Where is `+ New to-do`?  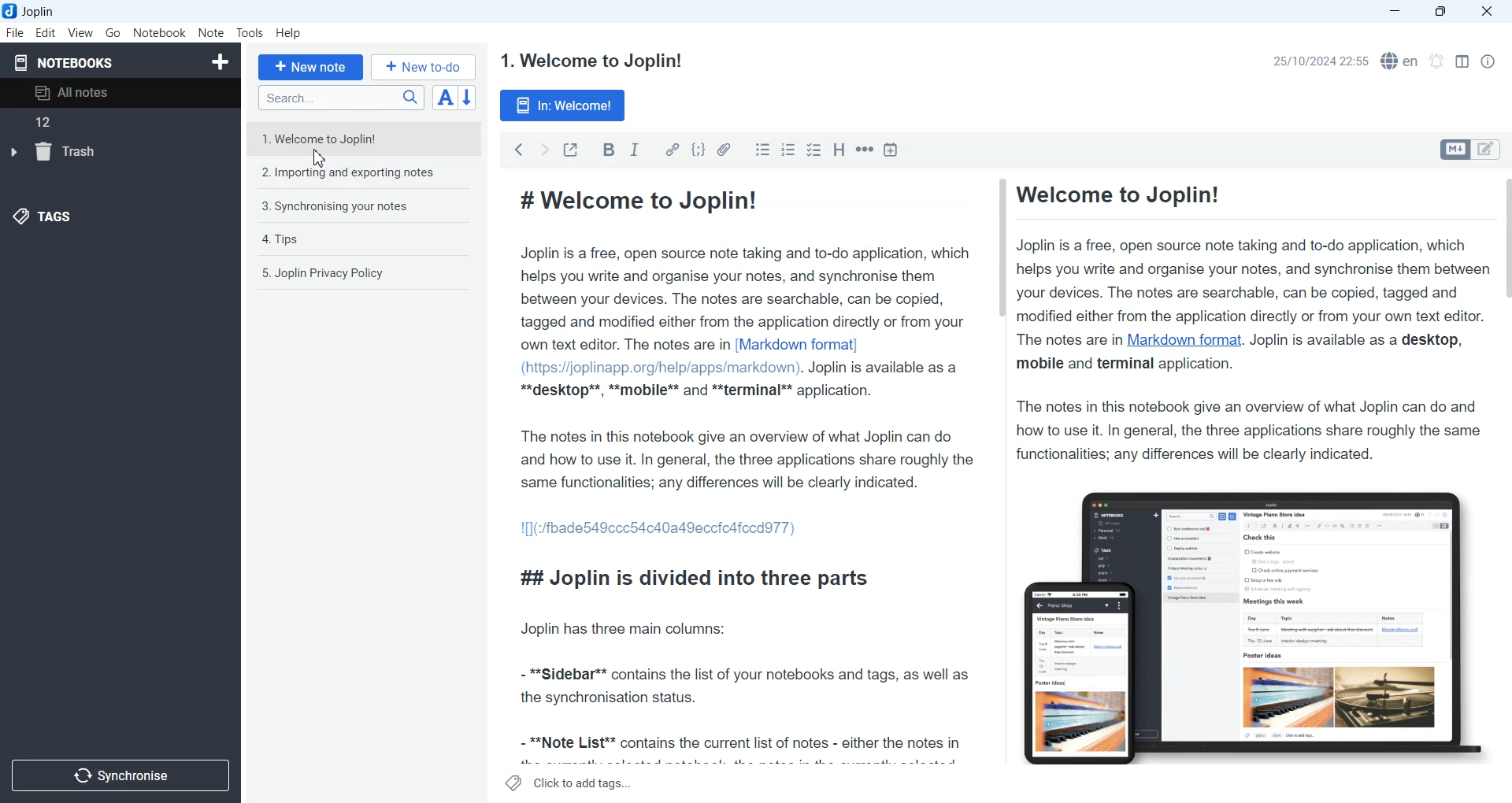 + New to-do is located at coordinates (425, 66).